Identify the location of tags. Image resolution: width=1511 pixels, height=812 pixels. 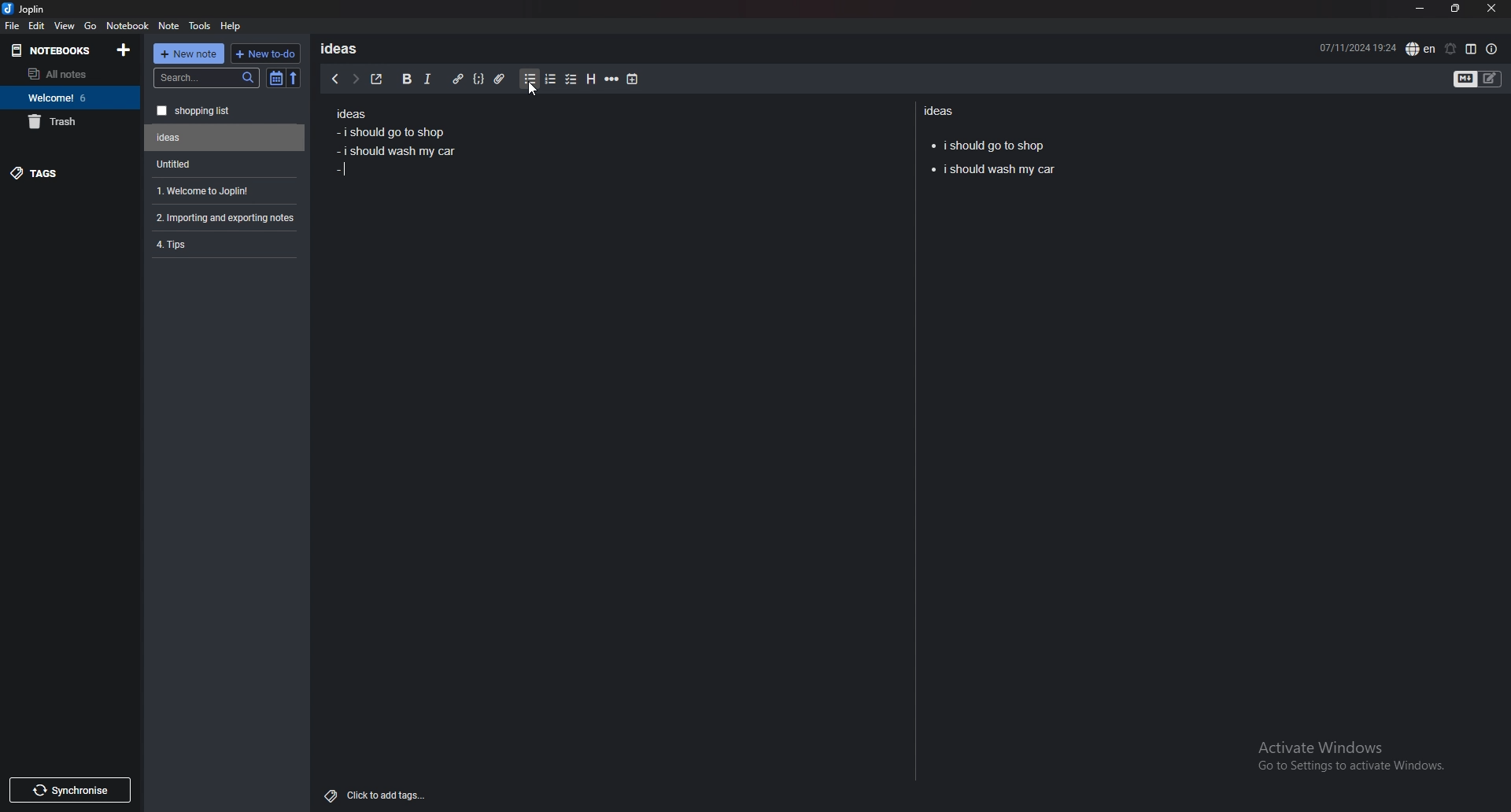
(71, 172).